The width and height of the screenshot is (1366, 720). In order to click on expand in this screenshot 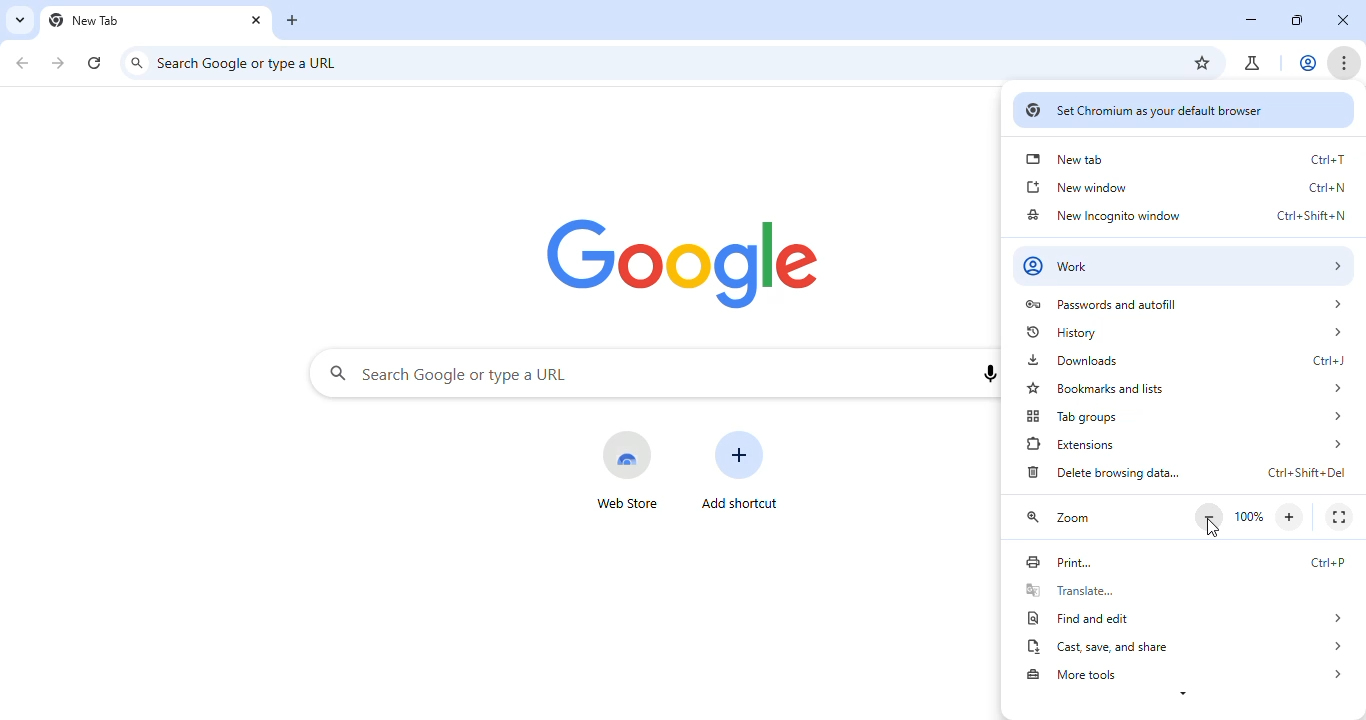, I will do `click(1182, 697)`.